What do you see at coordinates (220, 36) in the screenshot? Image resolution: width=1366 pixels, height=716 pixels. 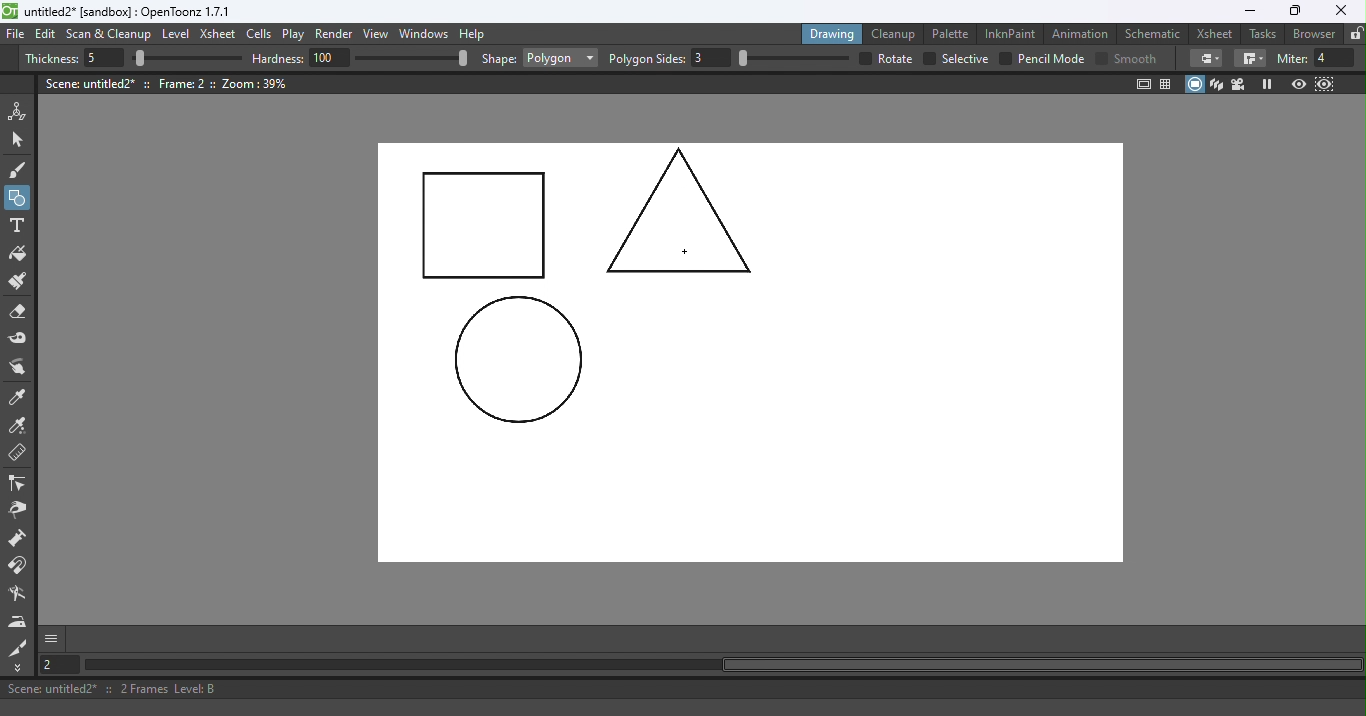 I see `Xsheet` at bounding box center [220, 36].